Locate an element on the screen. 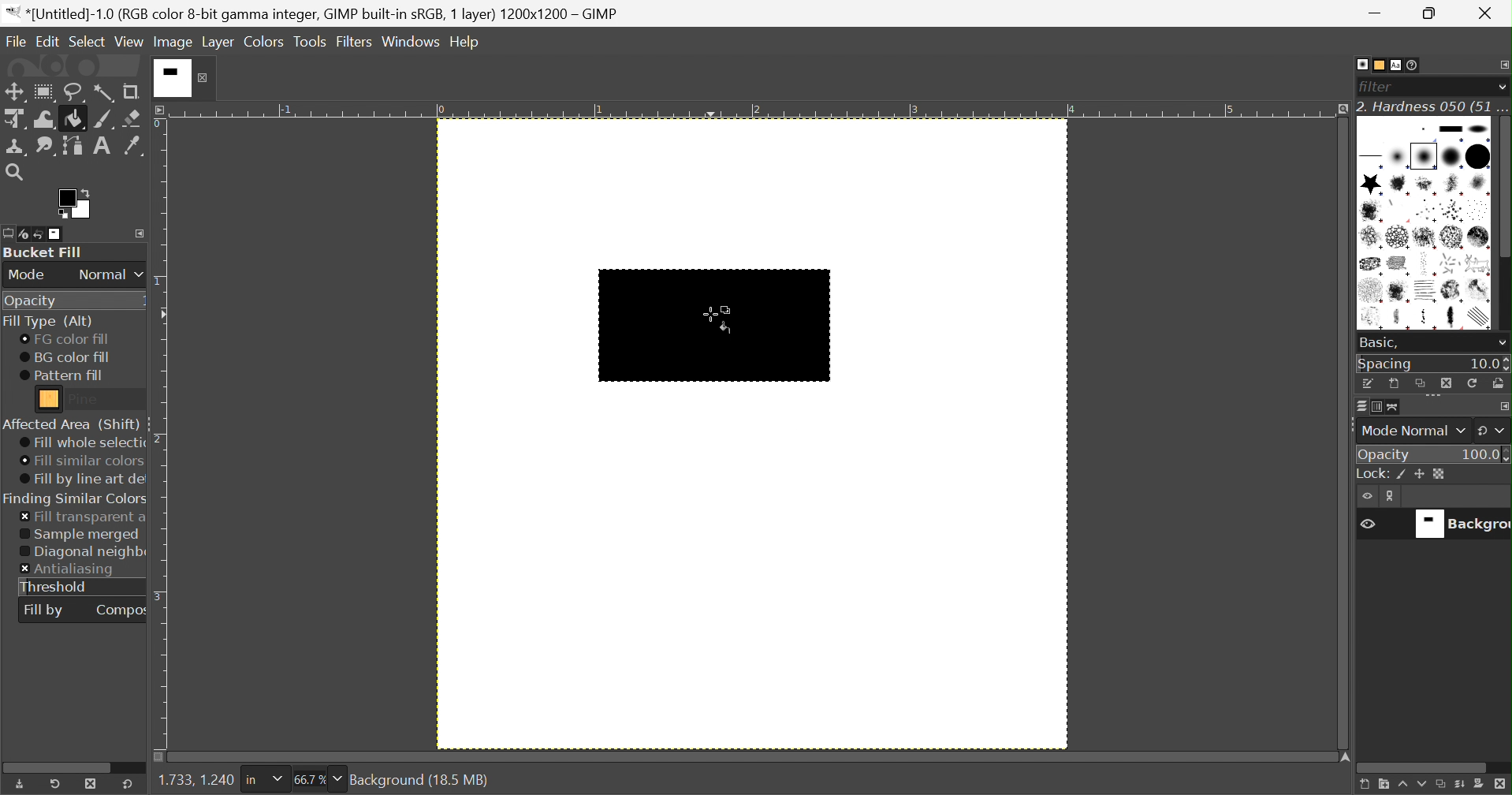 This screenshot has height=795, width=1512. Eye is located at coordinates (1366, 522).